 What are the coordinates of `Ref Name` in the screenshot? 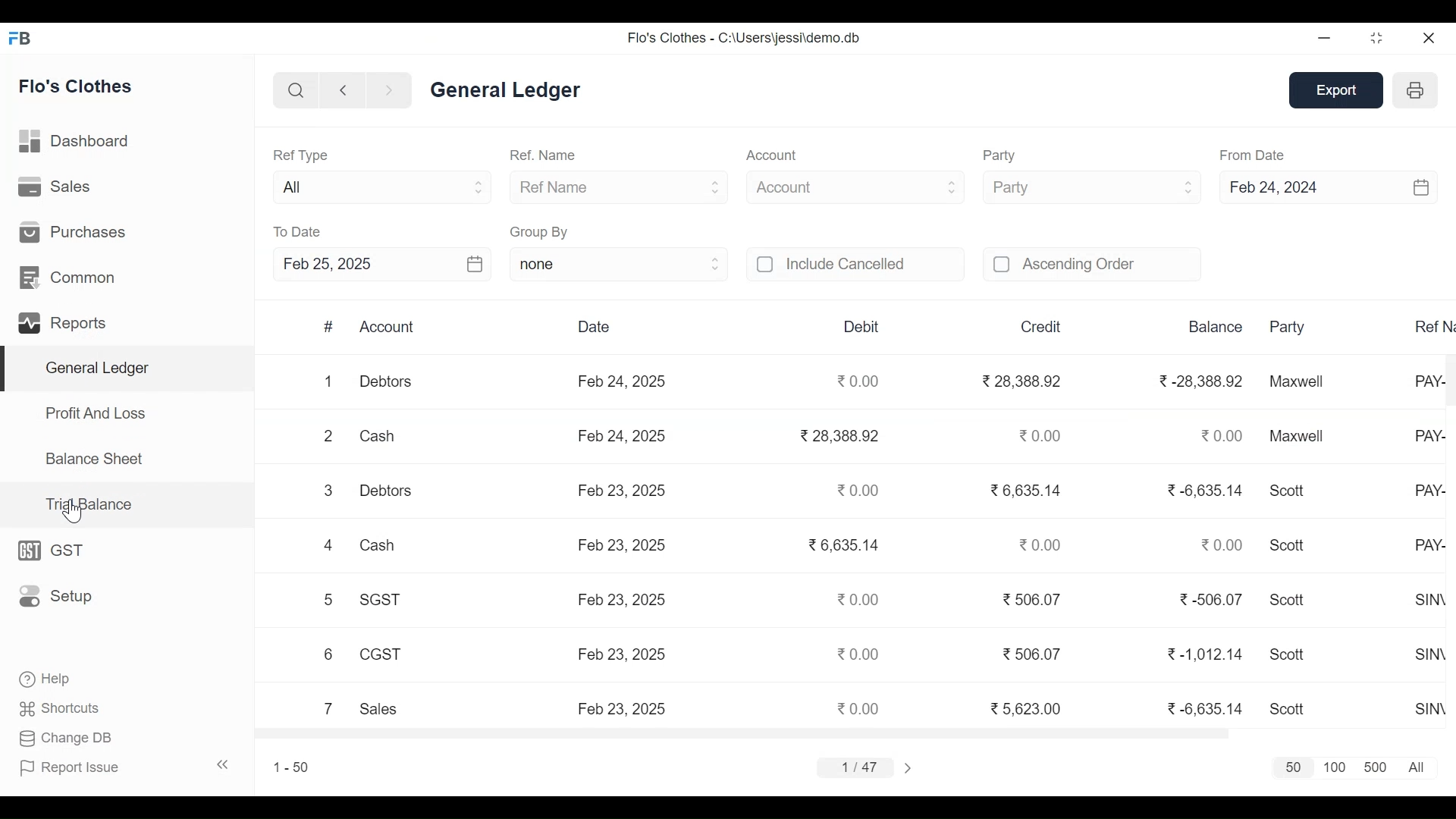 It's located at (620, 187).